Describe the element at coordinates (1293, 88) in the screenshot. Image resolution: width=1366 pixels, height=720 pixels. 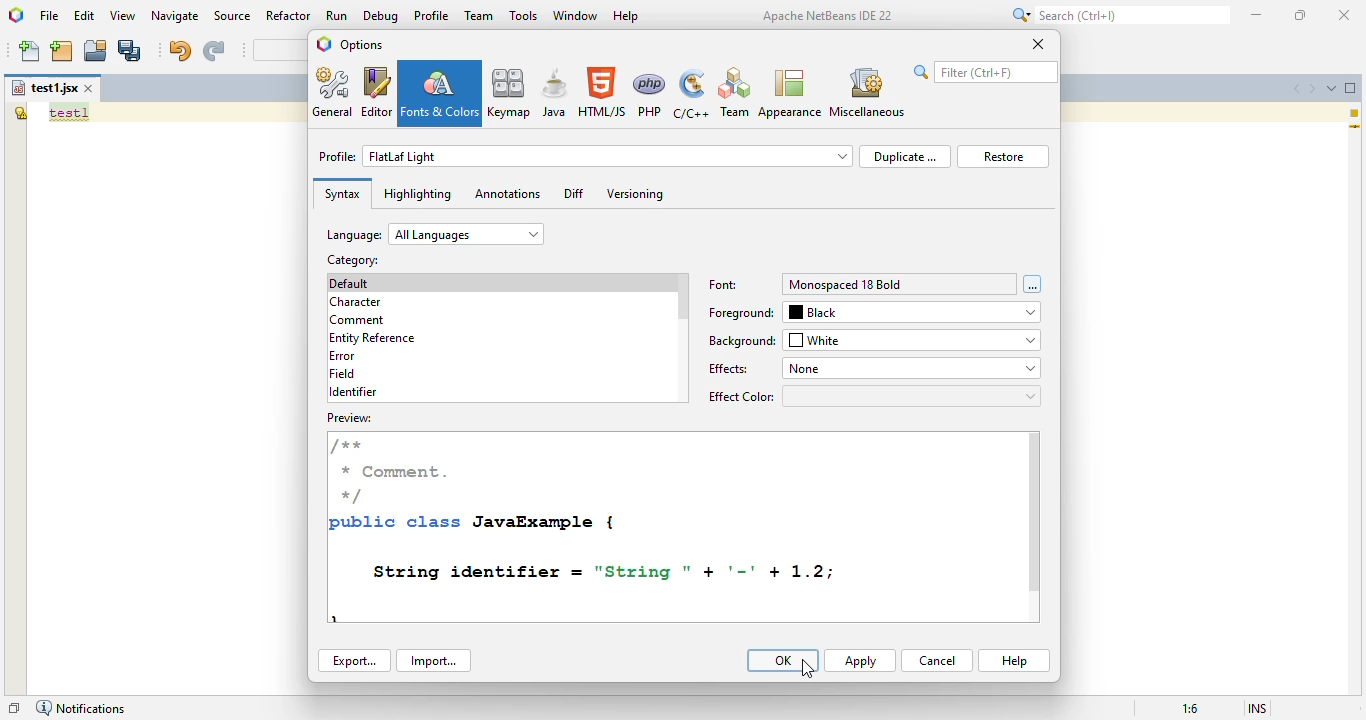
I see `scroll documents left` at that location.